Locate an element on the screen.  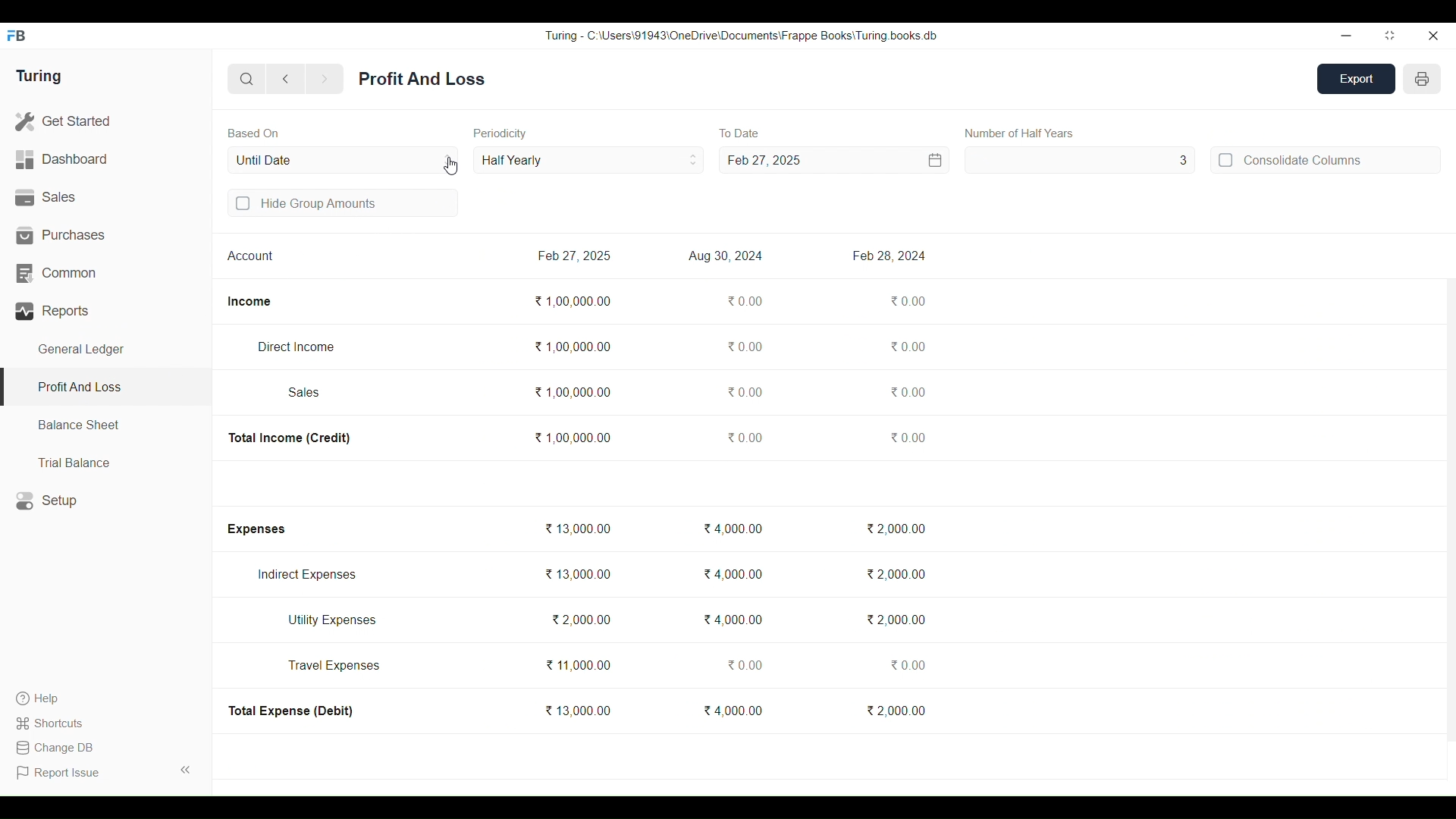
To Date is located at coordinates (739, 133).